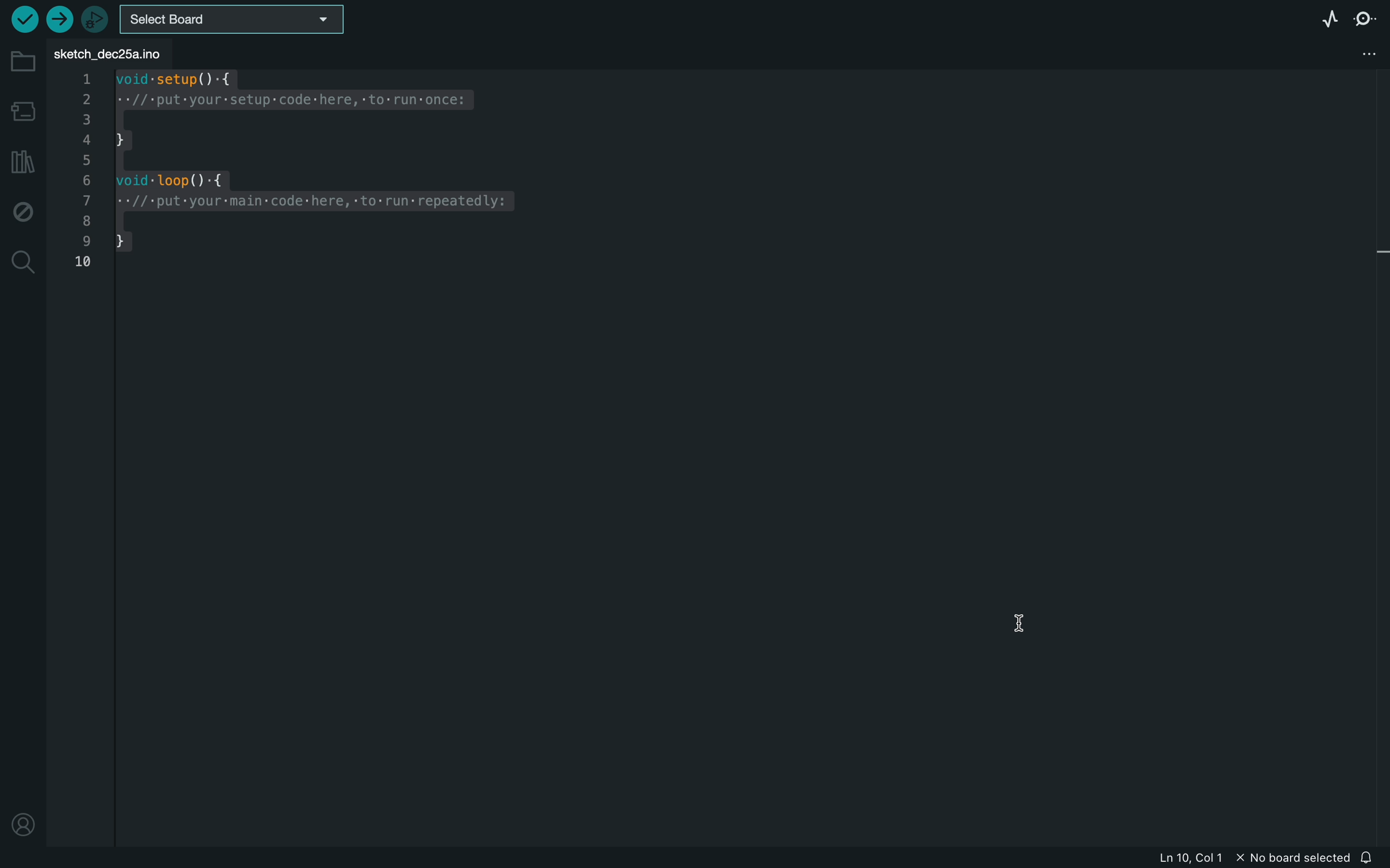 Image resolution: width=1390 pixels, height=868 pixels. Describe the element at coordinates (24, 816) in the screenshot. I see `profile` at that location.